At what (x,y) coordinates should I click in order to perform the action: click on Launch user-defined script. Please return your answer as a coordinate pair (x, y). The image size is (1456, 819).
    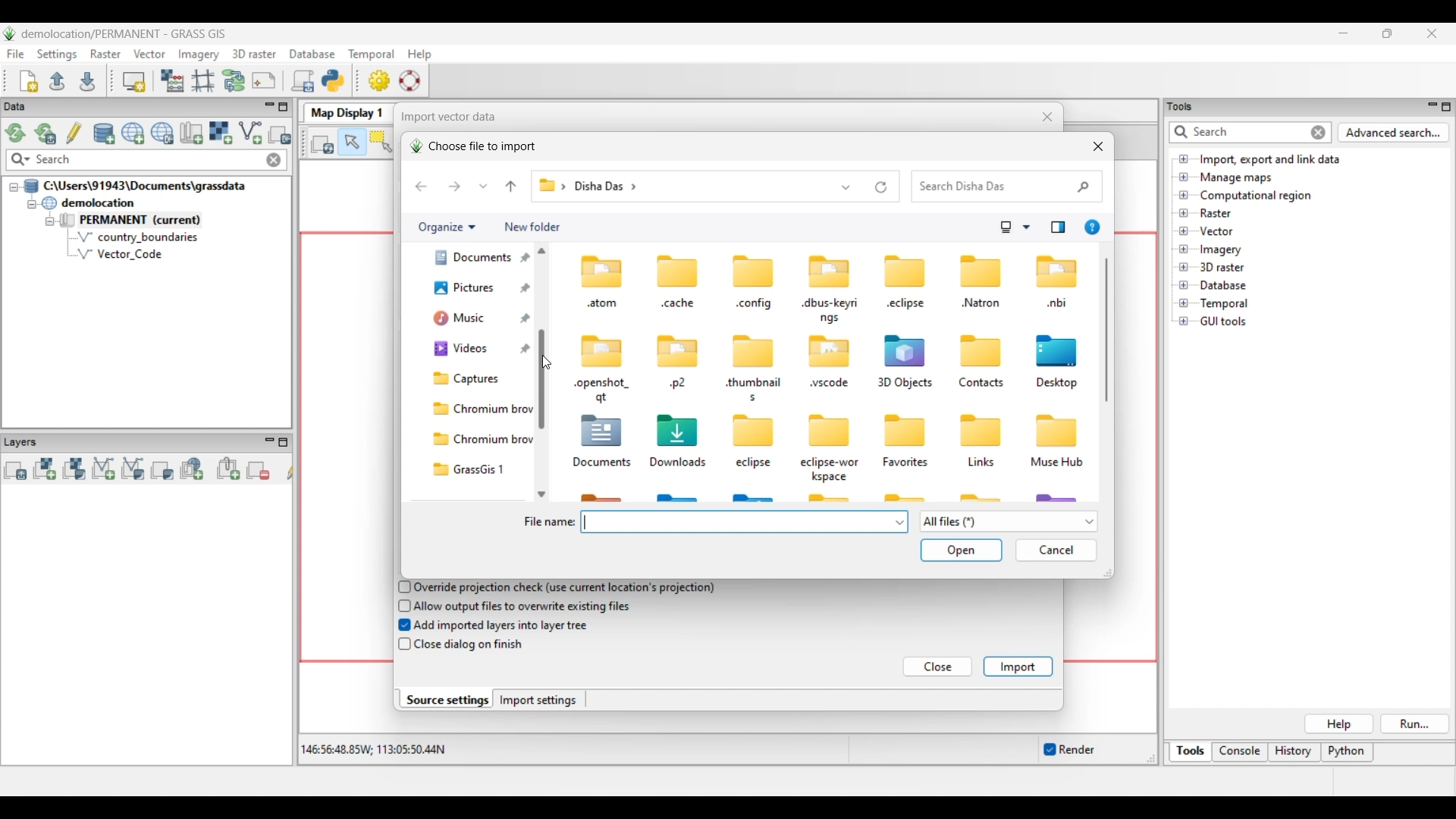
    Looking at the image, I should click on (303, 80).